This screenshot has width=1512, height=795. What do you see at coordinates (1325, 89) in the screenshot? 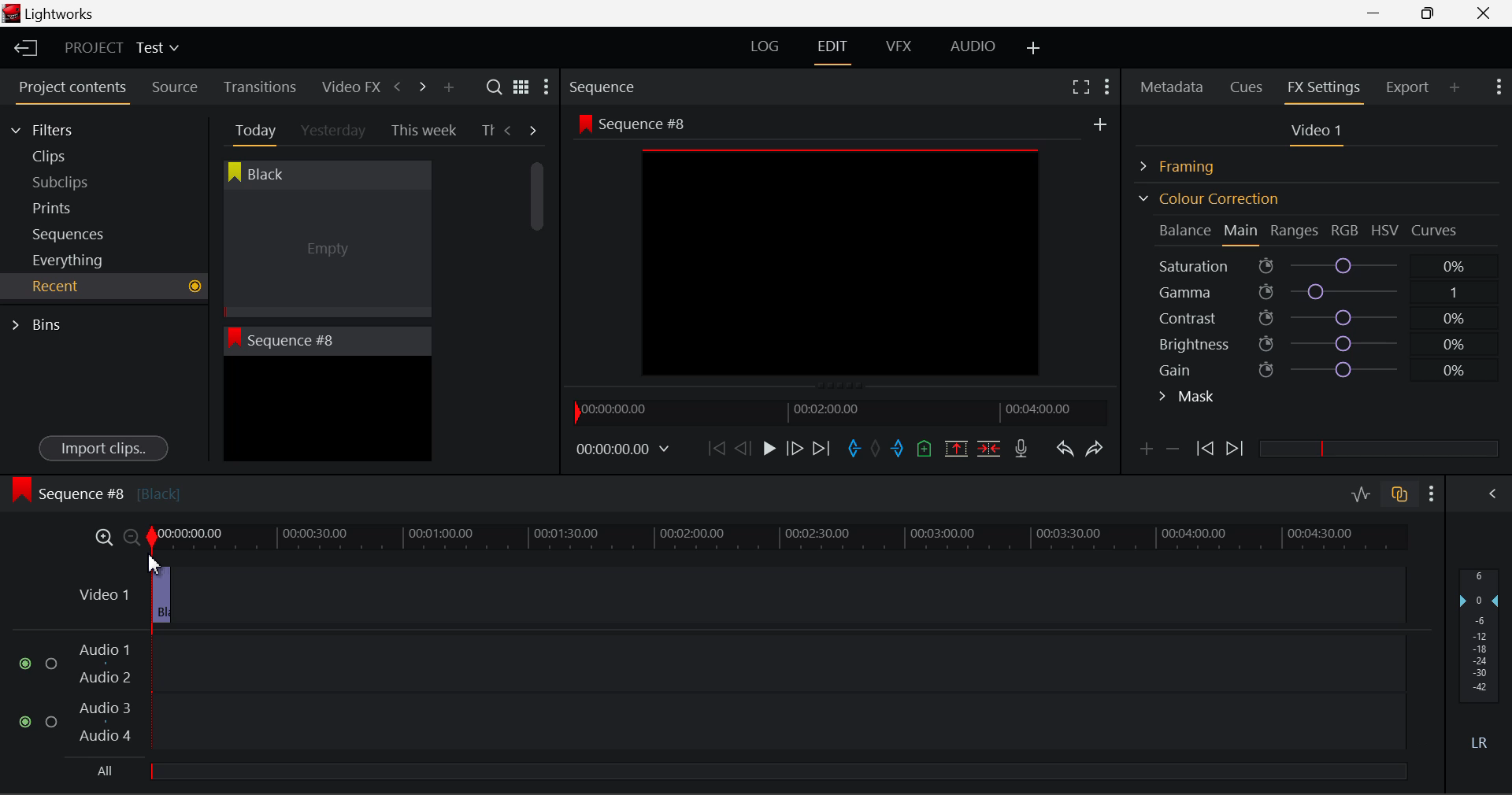
I see `FX Settings Panel Open` at bounding box center [1325, 89].